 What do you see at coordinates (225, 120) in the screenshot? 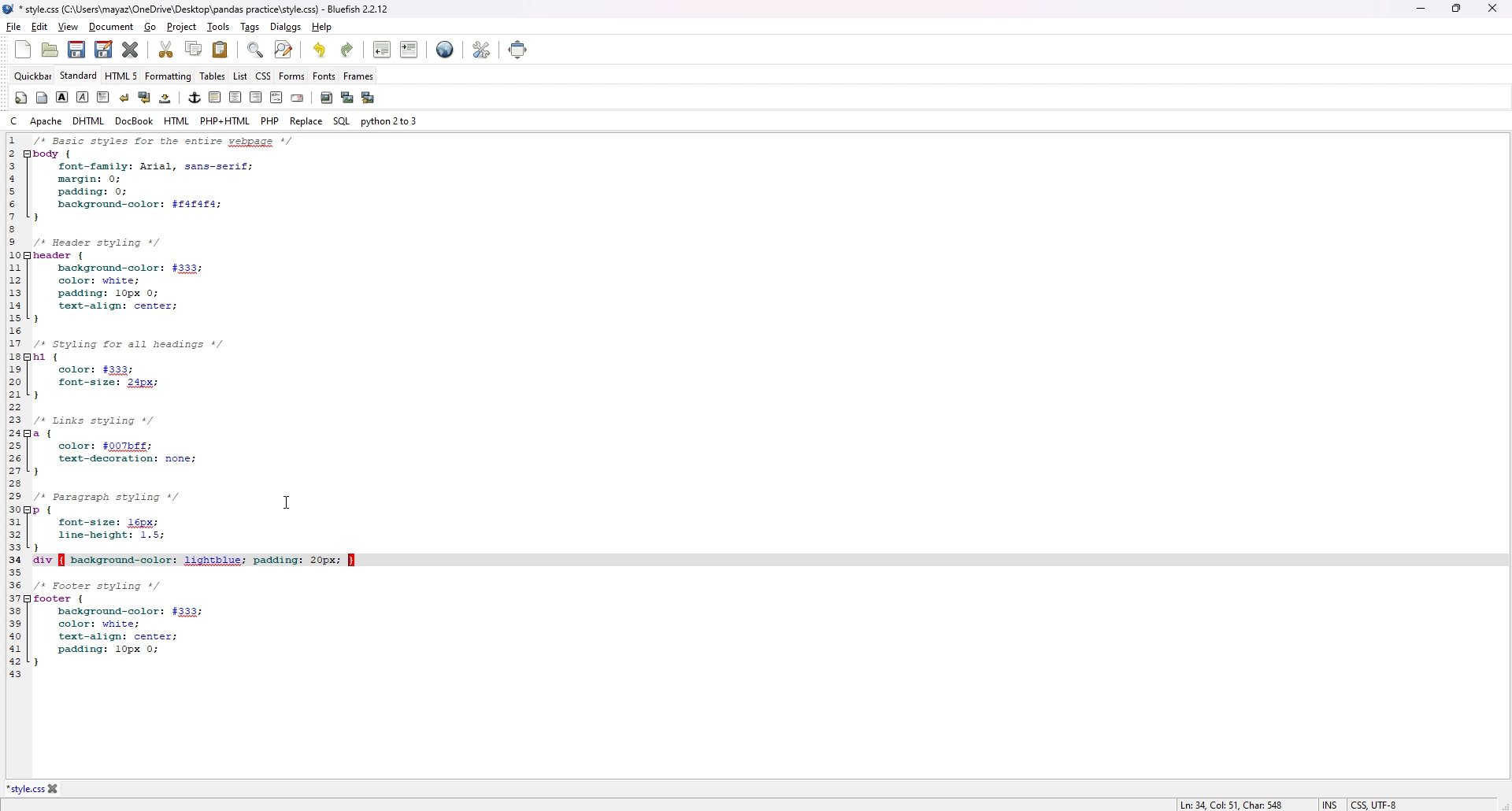
I see `php+html` at bounding box center [225, 120].